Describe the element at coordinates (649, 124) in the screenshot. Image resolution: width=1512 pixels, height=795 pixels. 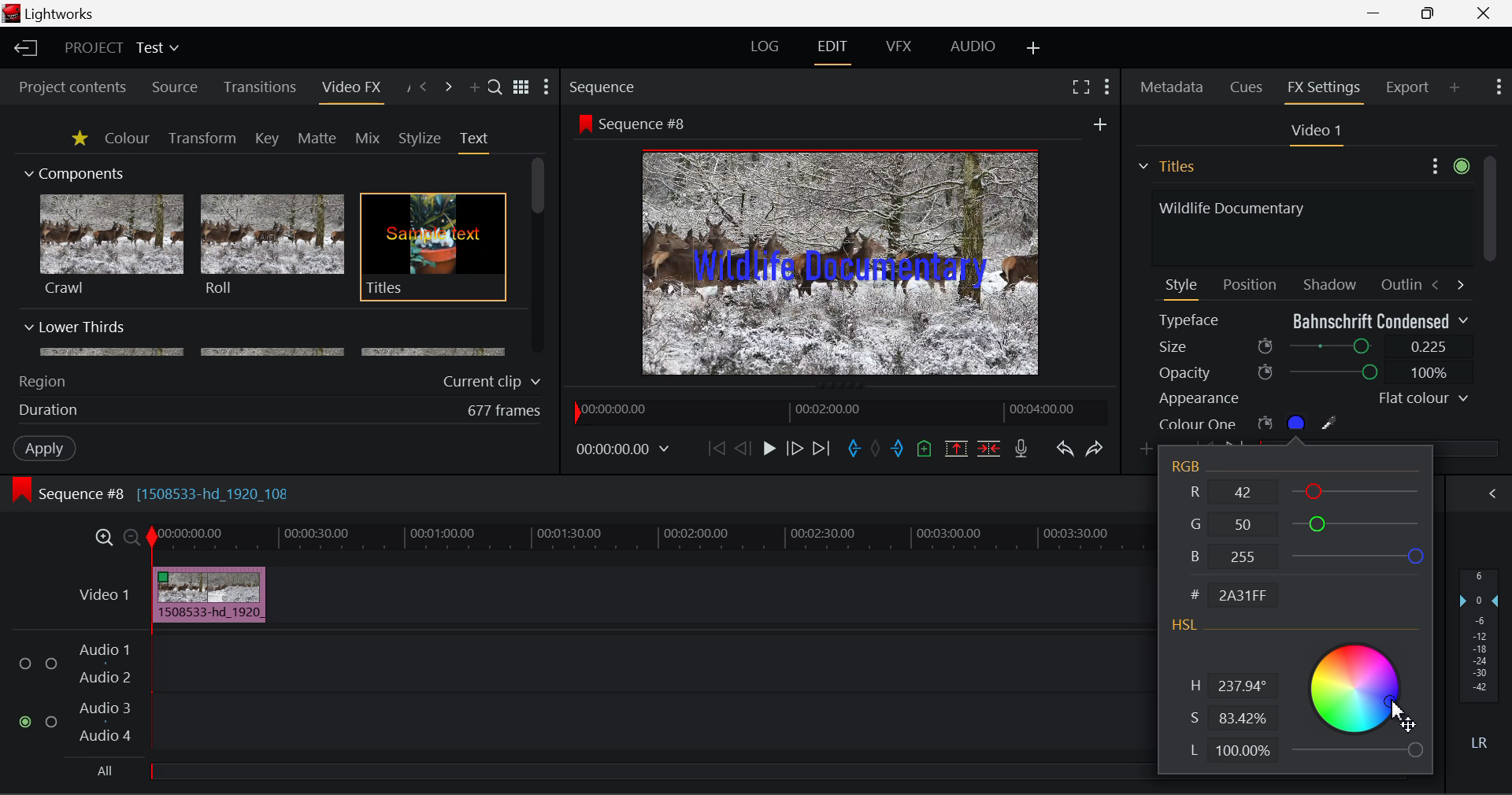
I see `Sequence #8` at that location.